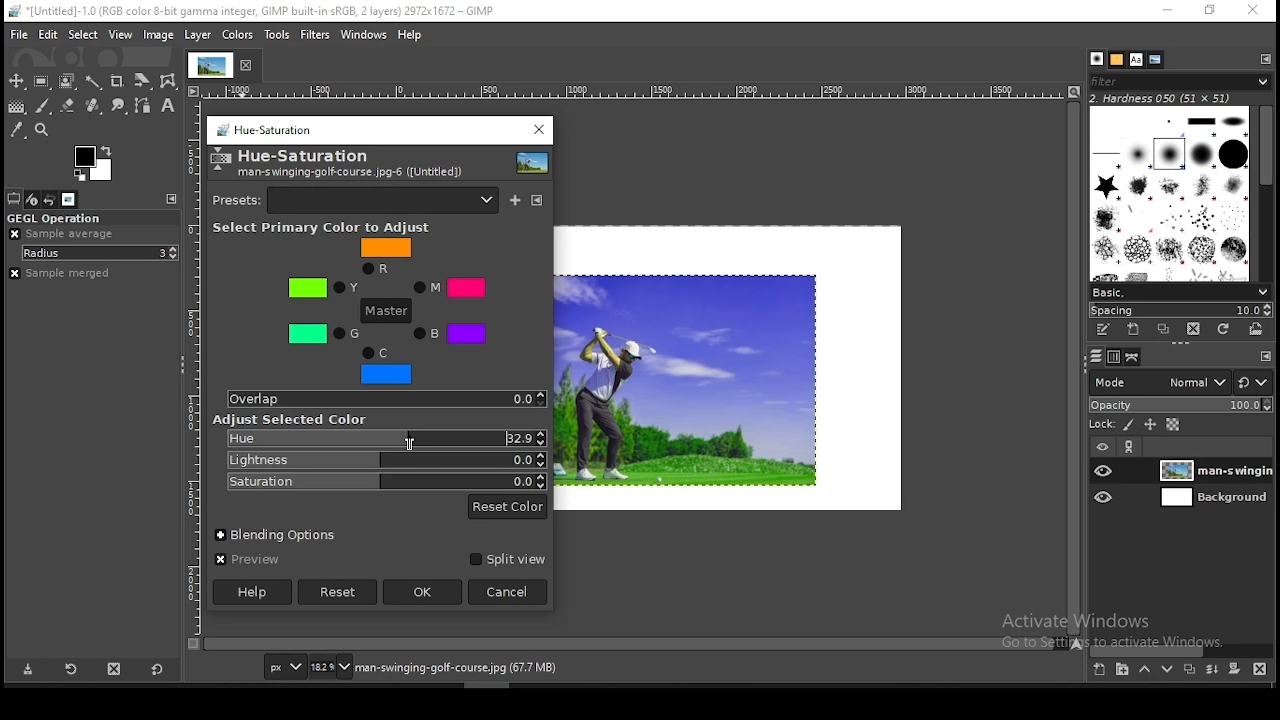  I want to click on color picker tool, so click(18, 129).